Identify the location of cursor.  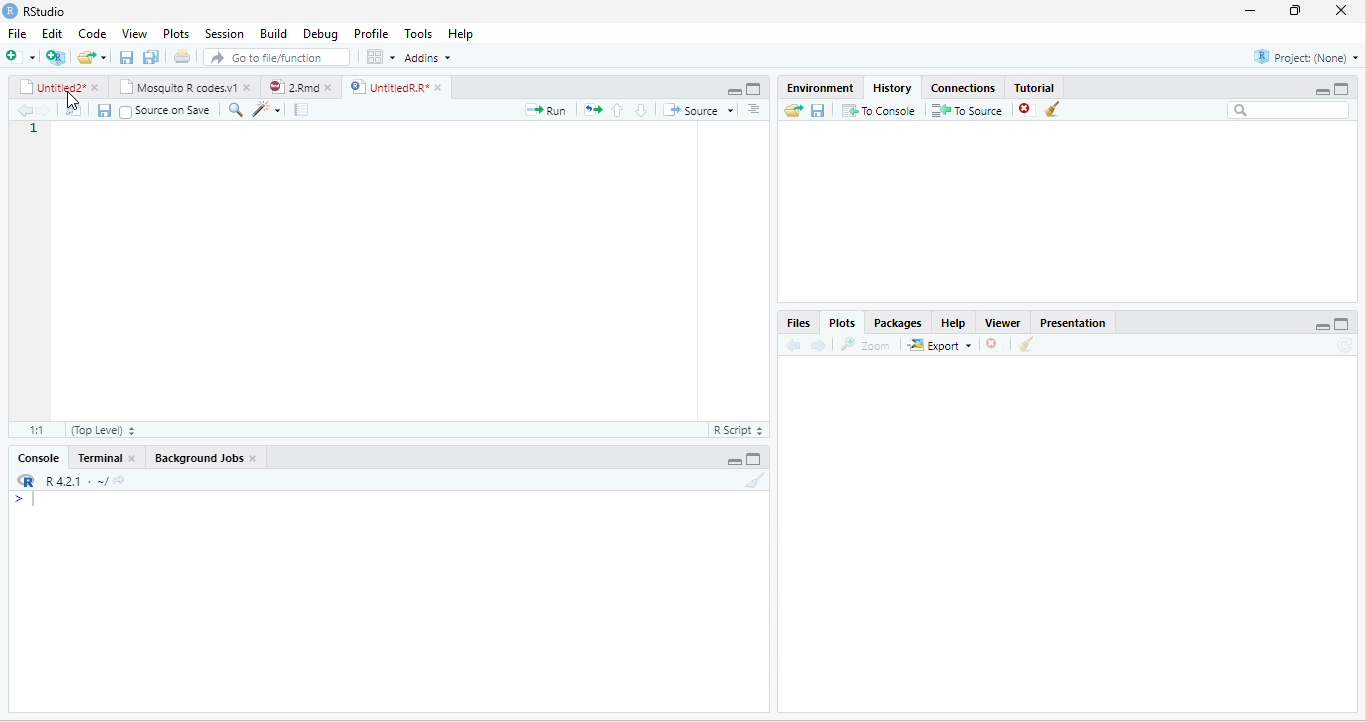
(78, 98).